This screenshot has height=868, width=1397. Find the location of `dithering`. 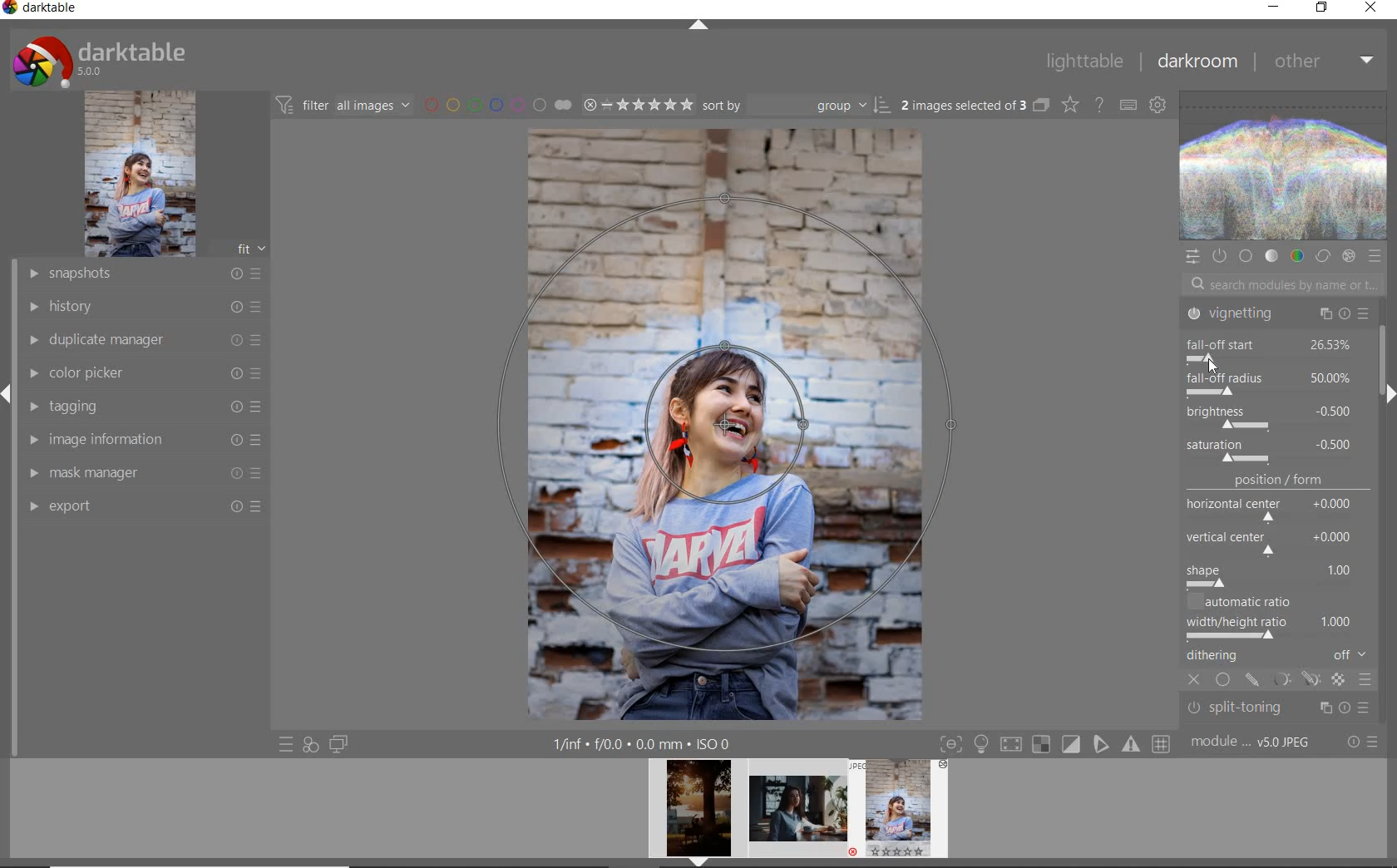

dithering is located at coordinates (1279, 657).